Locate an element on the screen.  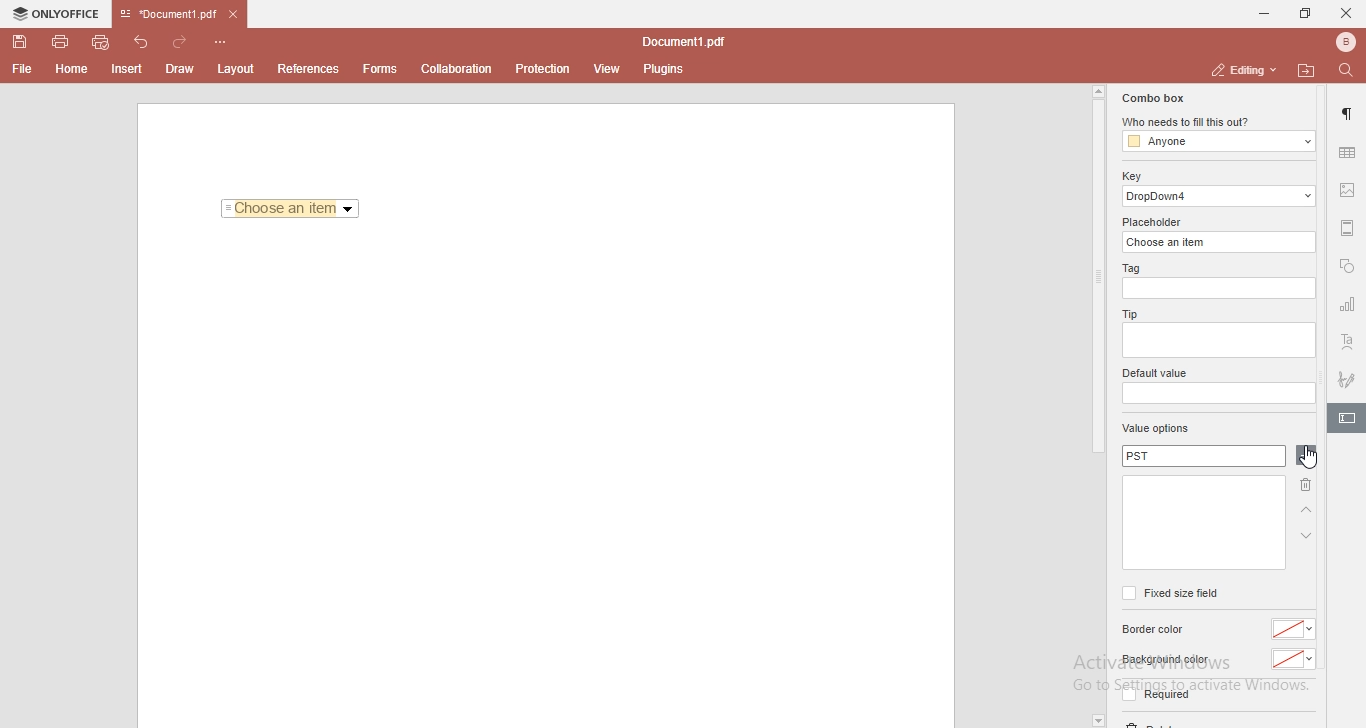
empty box is located at coordinates (1217, 394).